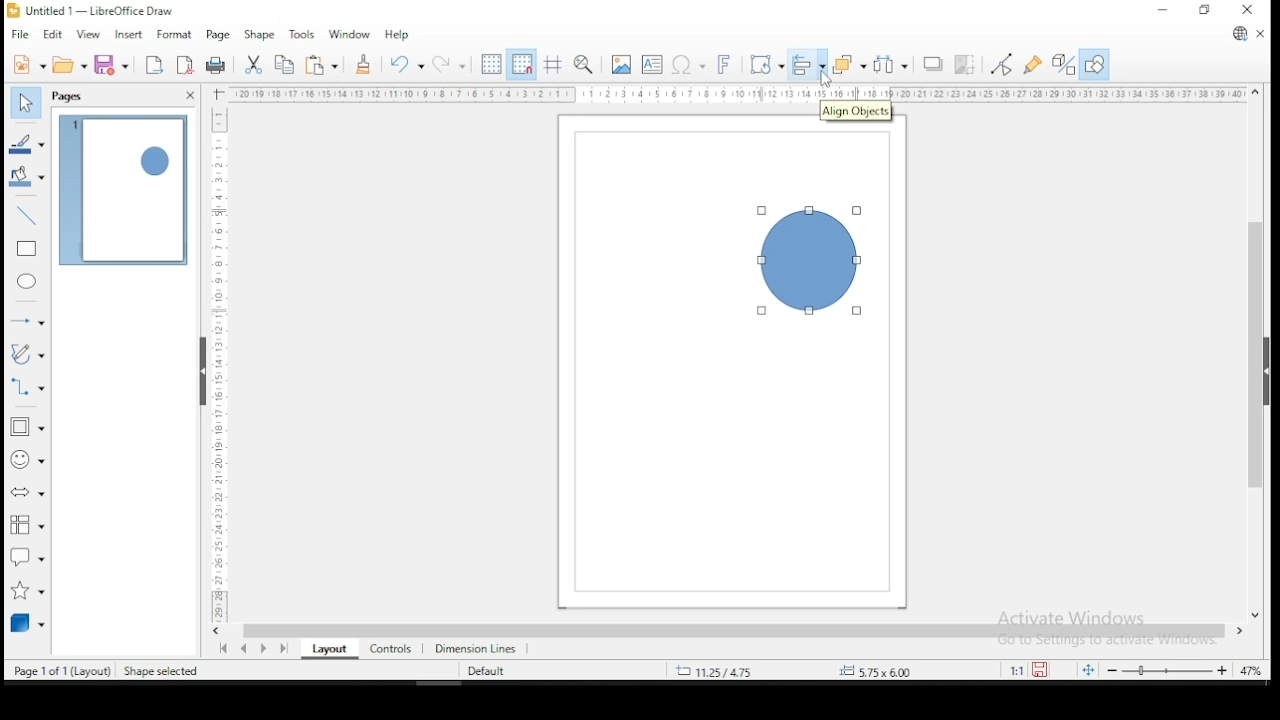 This screenshot has height=720, width=1280. Describe the element at coordinates (90, 10) in the screenshot. I see `untitled 1 - LibreOffice Draw` at that location.